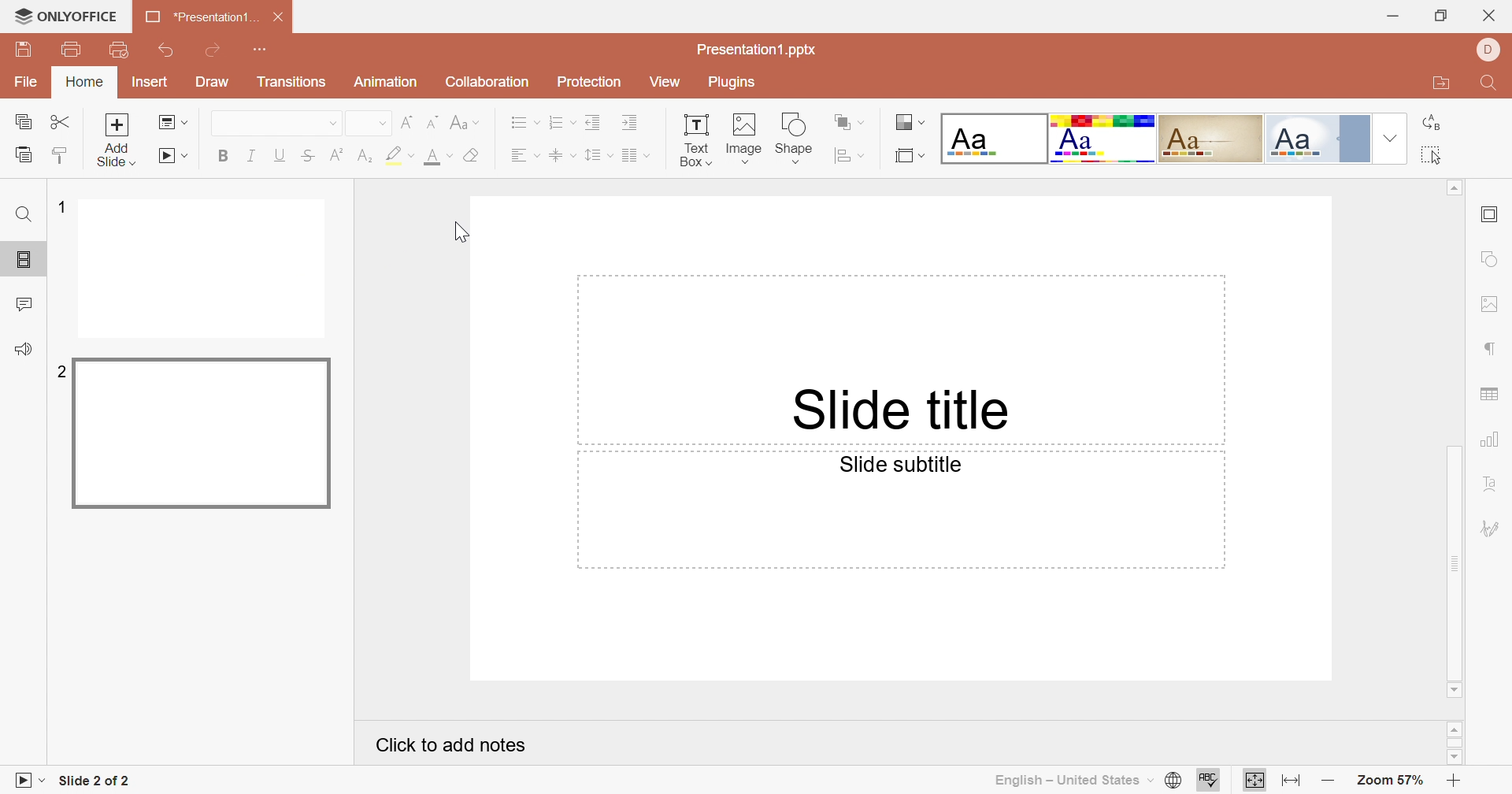  I want to click on Bullets, so click(521, 122).